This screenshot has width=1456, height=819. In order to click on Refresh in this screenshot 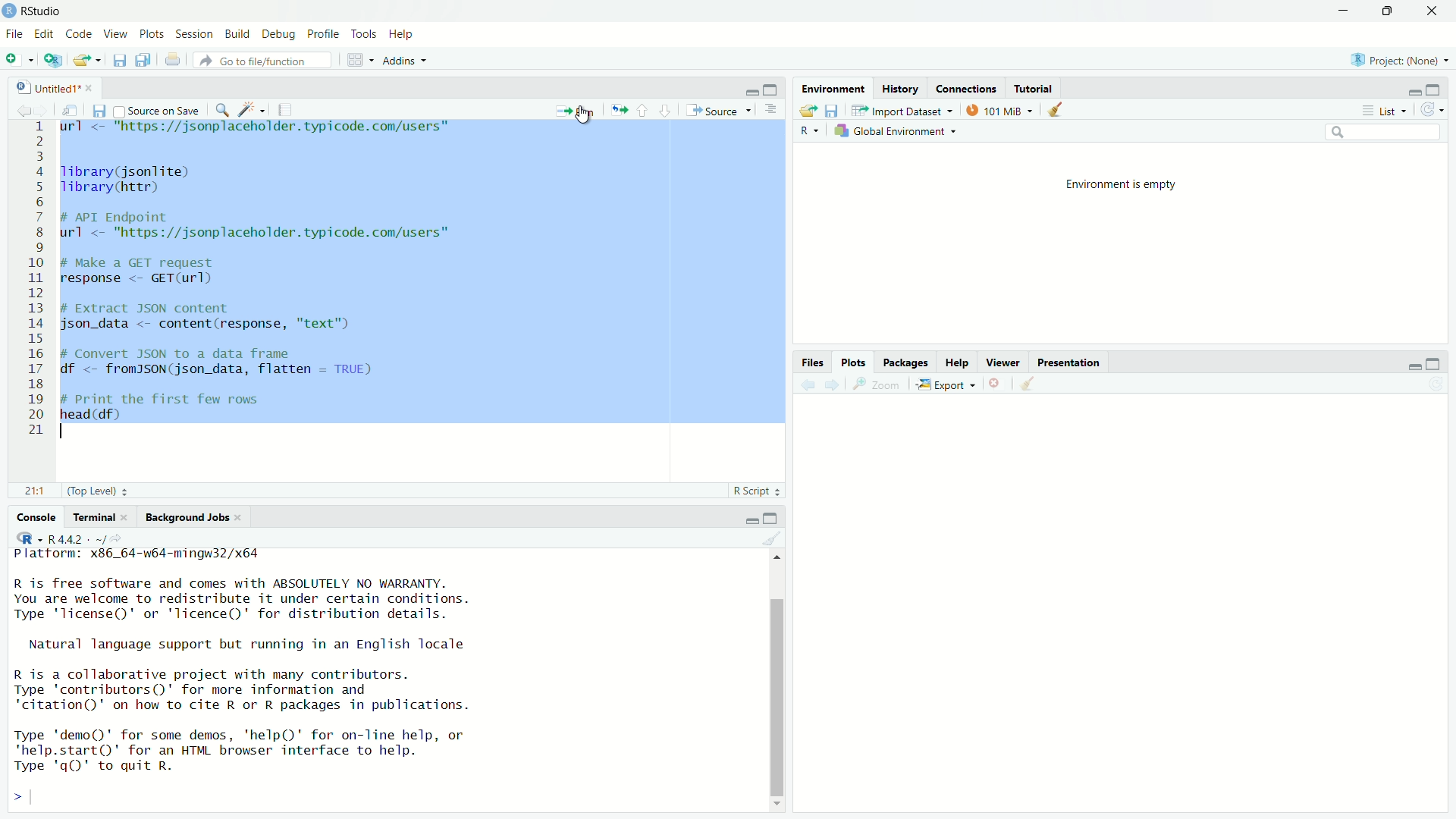, I will do `click(1432, 108)`.